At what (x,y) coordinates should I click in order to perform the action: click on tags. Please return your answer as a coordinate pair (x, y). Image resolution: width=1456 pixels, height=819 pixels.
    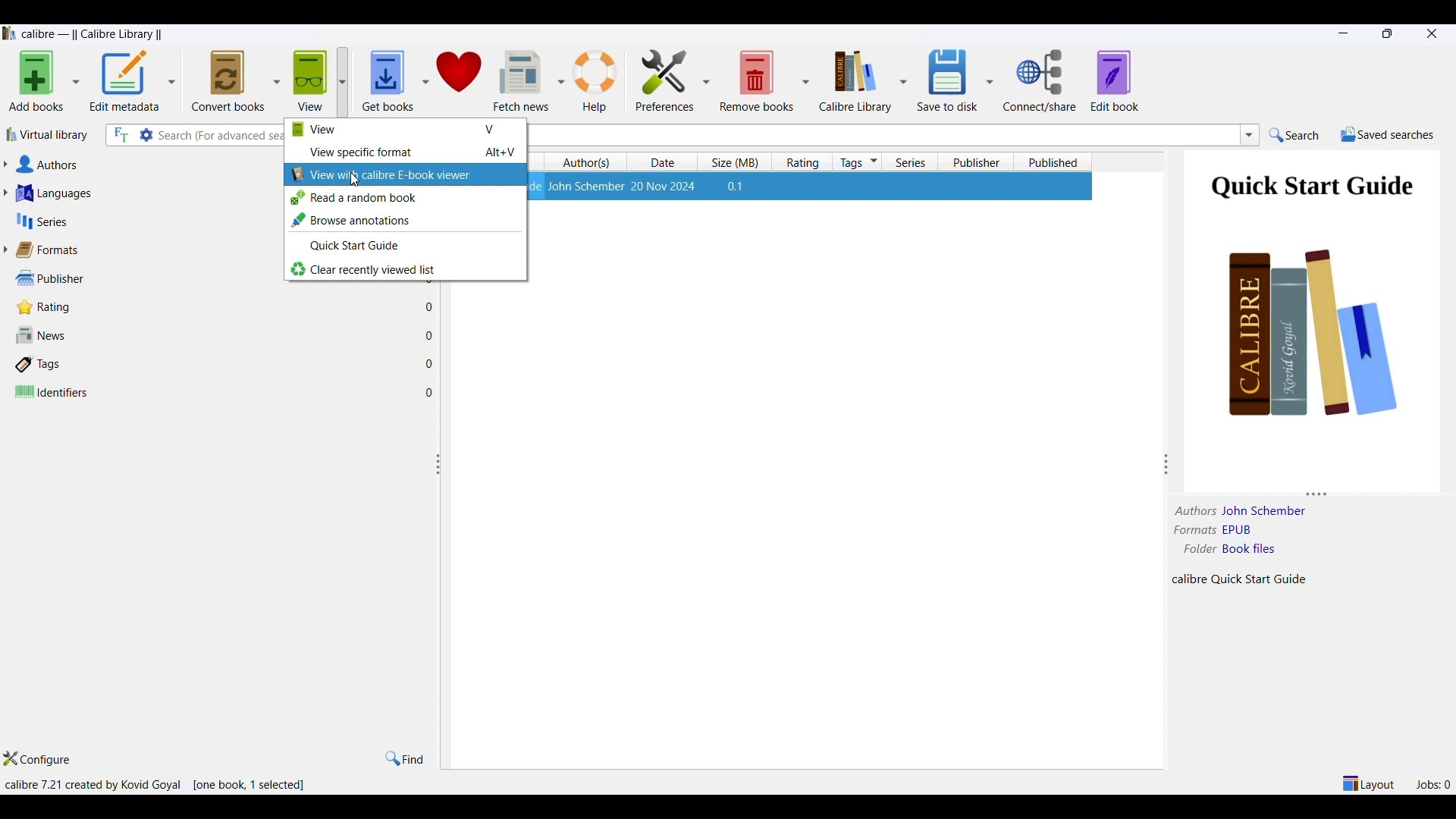
    Looking at the image, I should click on (859, 162).